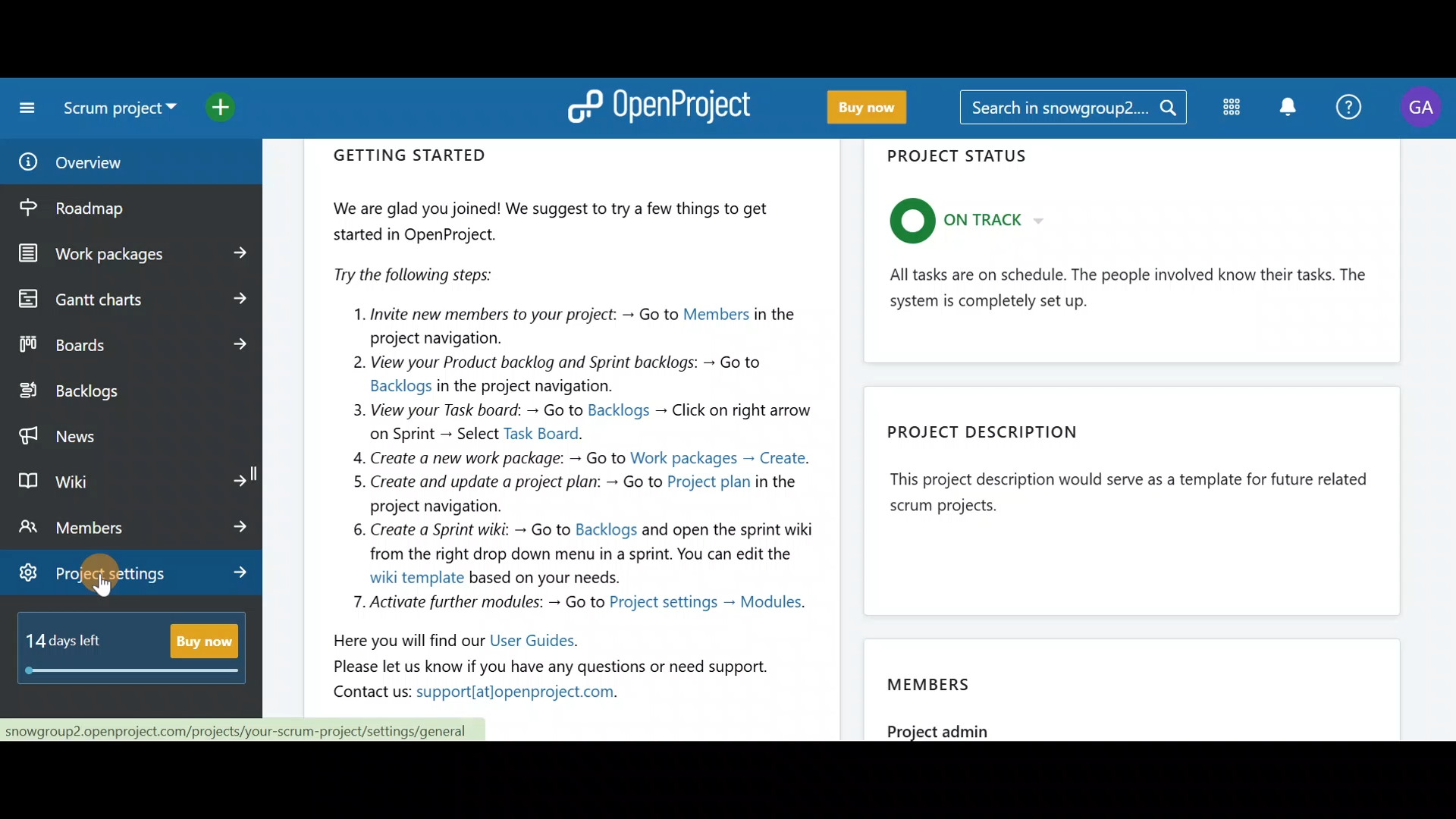 The width and height of the screenshot is (1456, 819). I want to click on Open quick add menu, so click(235, 108).